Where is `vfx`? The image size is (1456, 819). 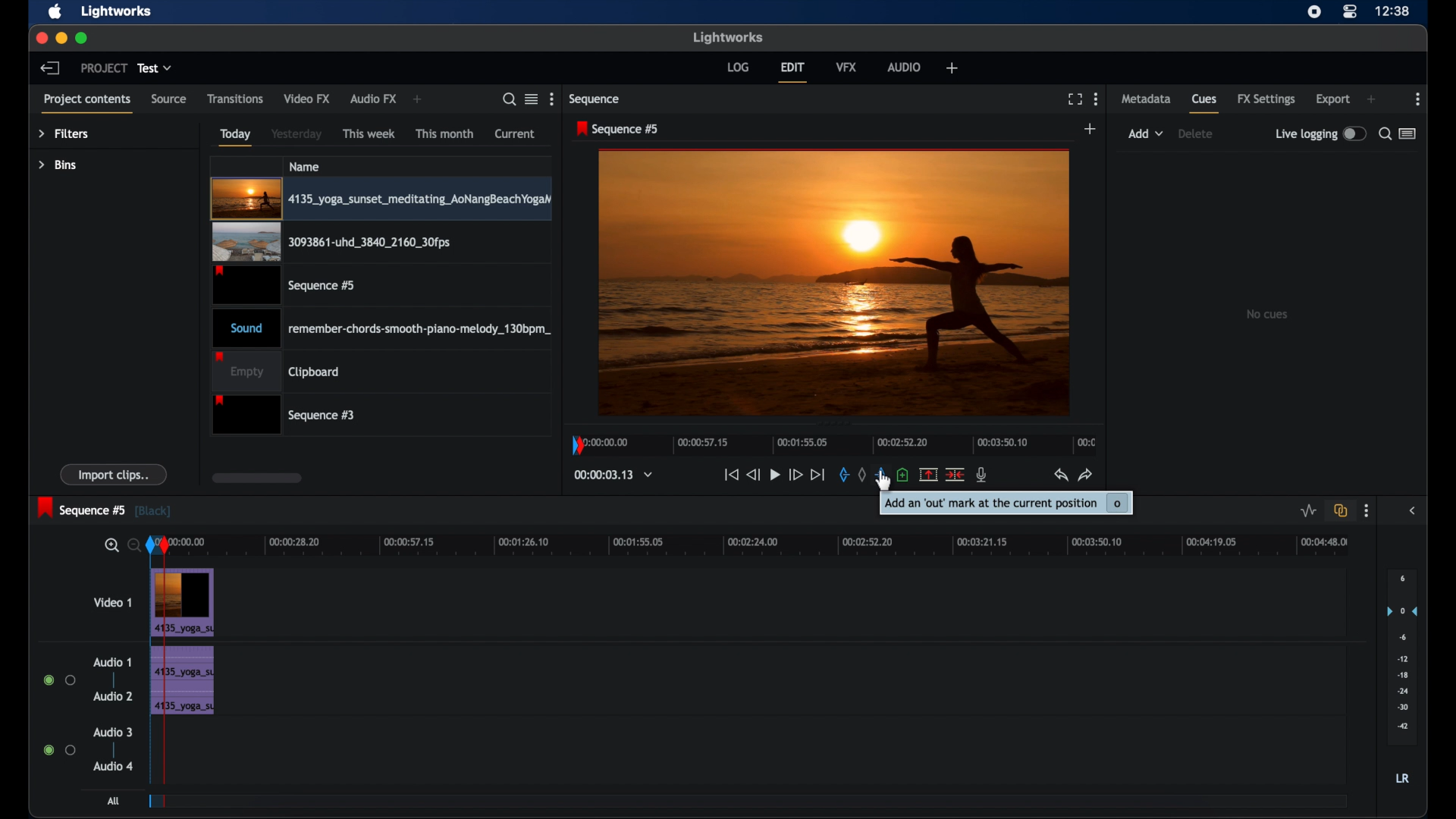
vfx is located at coordinates (846, 66).